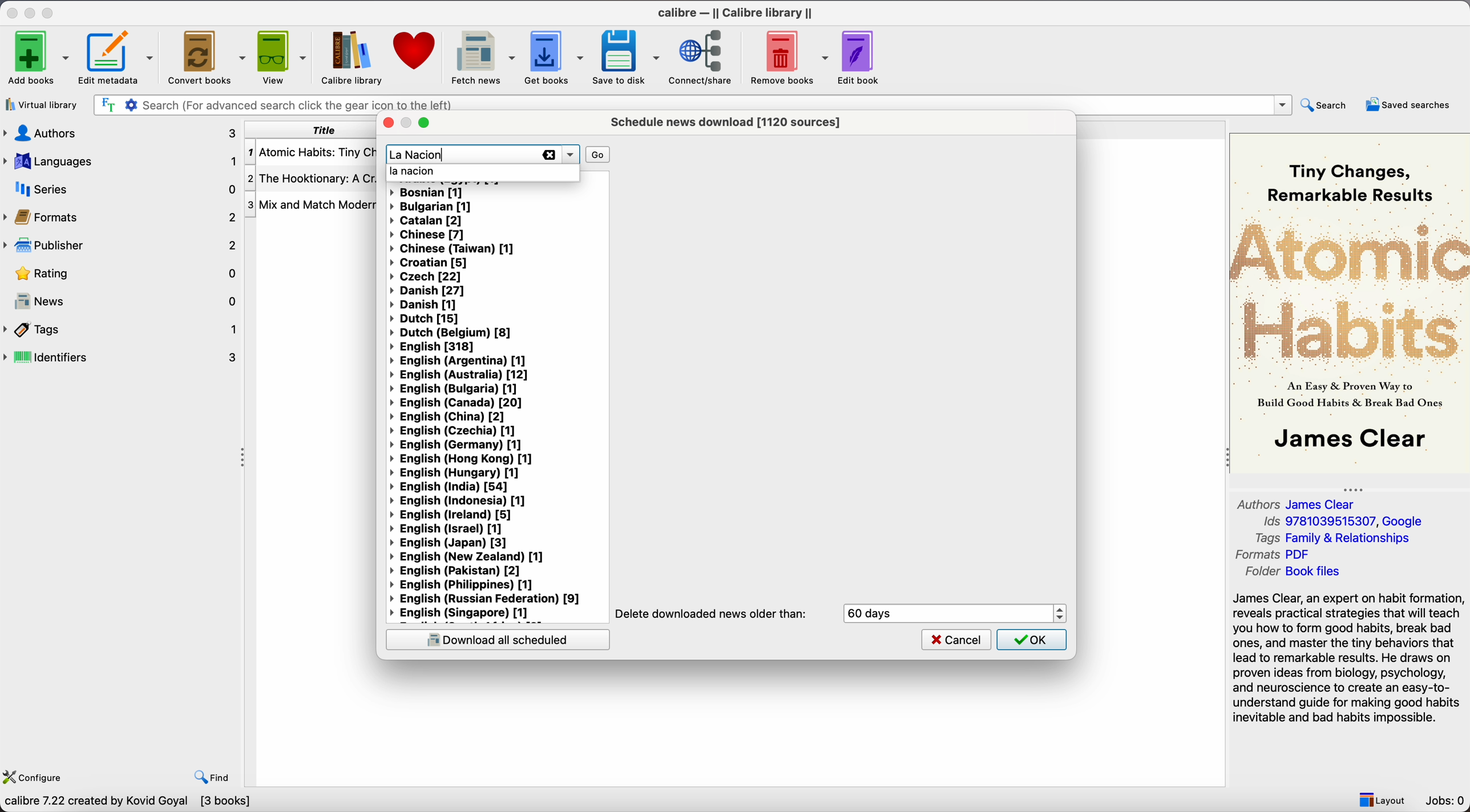 This screenshot has height=812, width=1470. I want to click on Edit metadata, so click(118, 57).